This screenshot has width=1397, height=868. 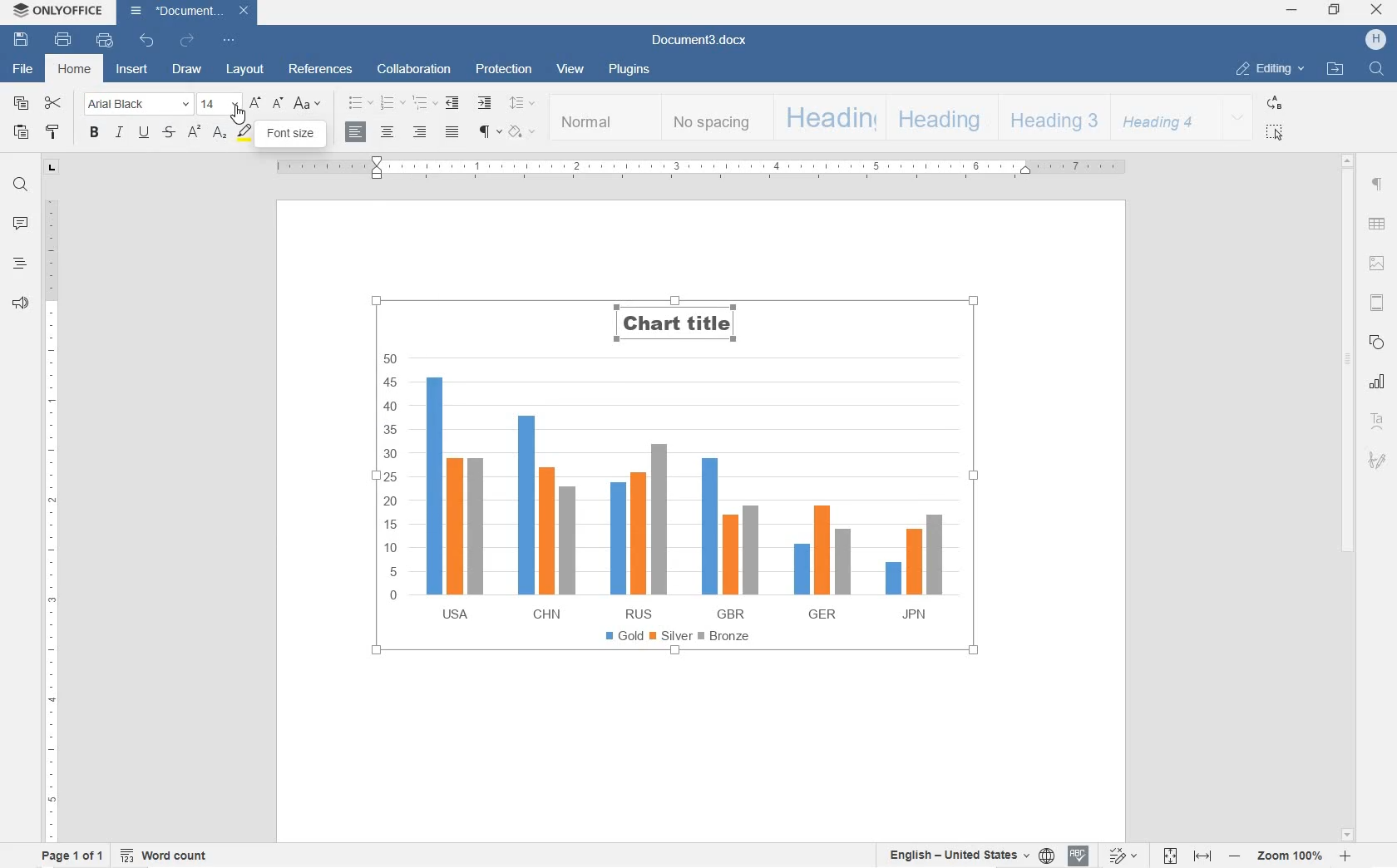 What do you see at coordinates (101, 41) in the screenshot?
I see `QUICK PRINT` at bounding box center [101, 41].